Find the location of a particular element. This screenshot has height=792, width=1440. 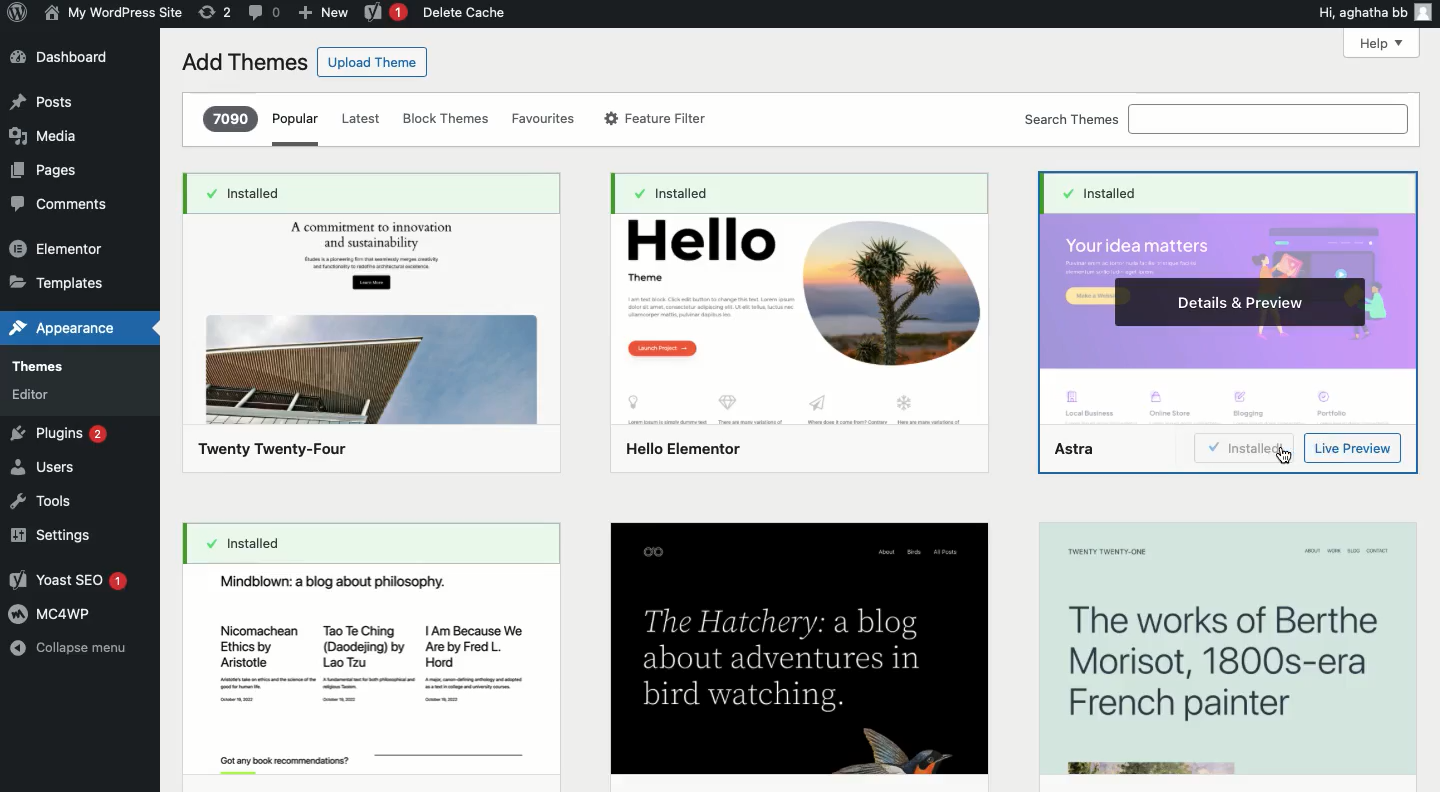

MC4WP is located at coordinates (51, 613).